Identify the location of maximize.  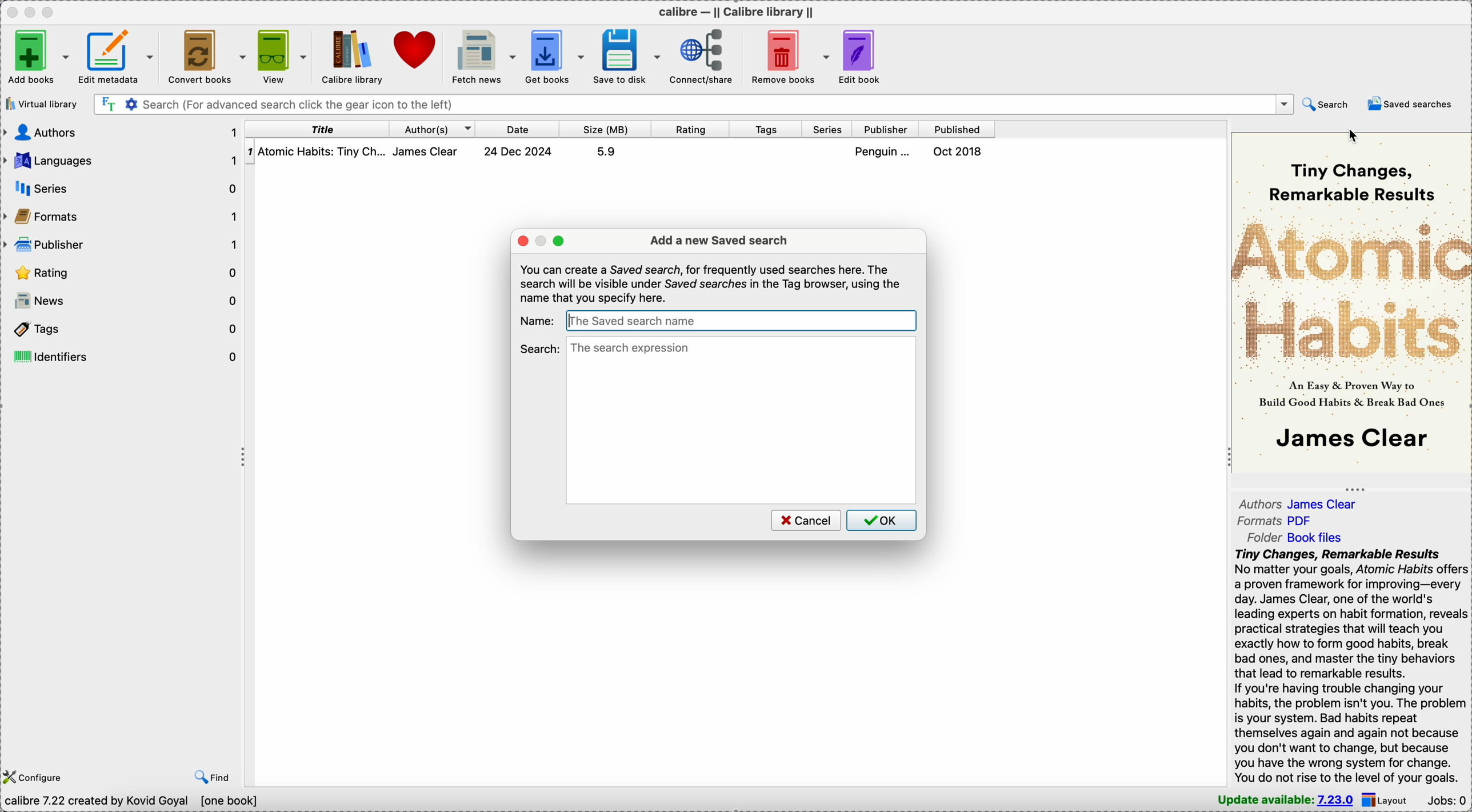
(51, 11).